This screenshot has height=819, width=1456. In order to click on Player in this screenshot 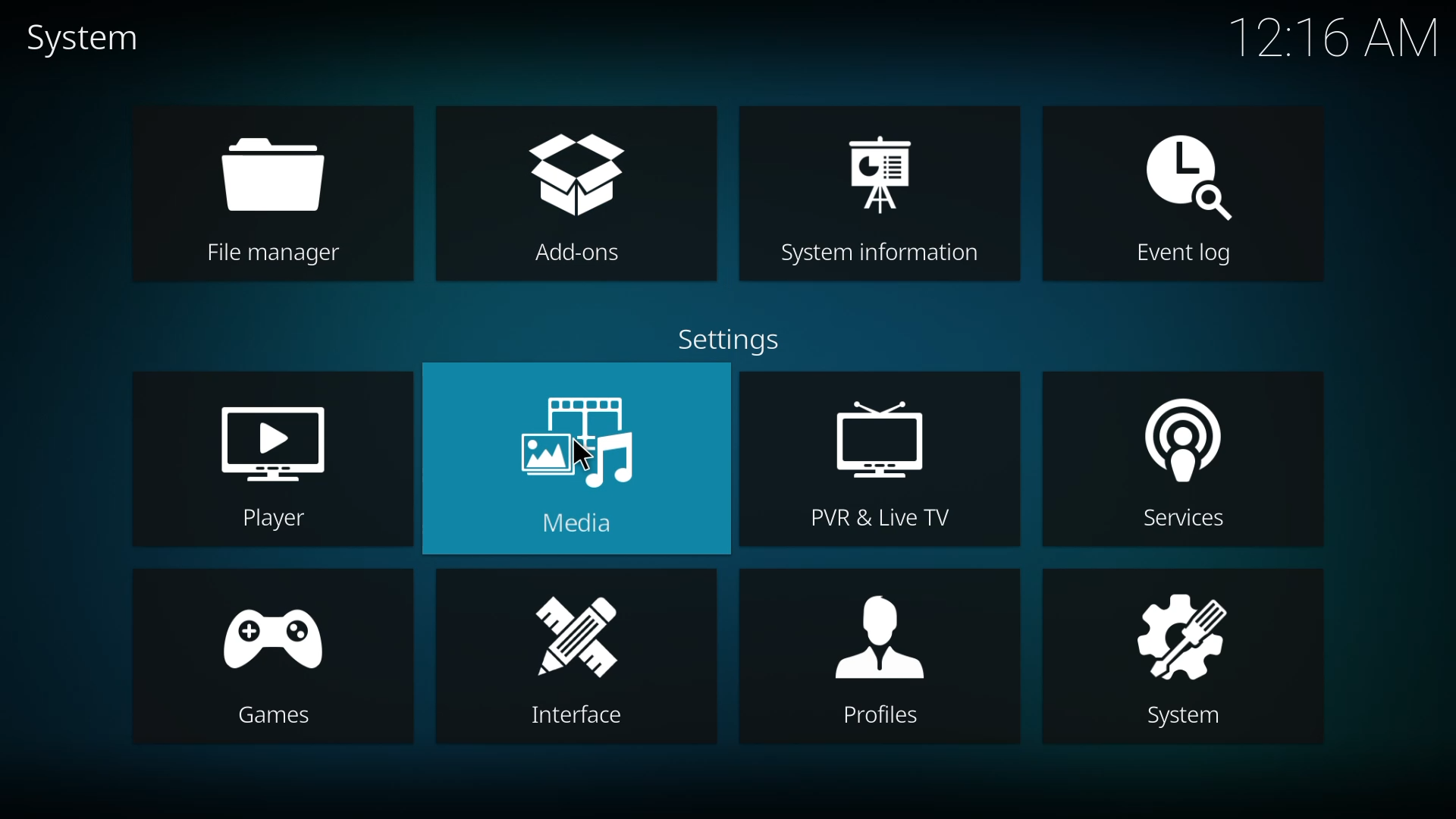, I will do `click(271, 519)`.